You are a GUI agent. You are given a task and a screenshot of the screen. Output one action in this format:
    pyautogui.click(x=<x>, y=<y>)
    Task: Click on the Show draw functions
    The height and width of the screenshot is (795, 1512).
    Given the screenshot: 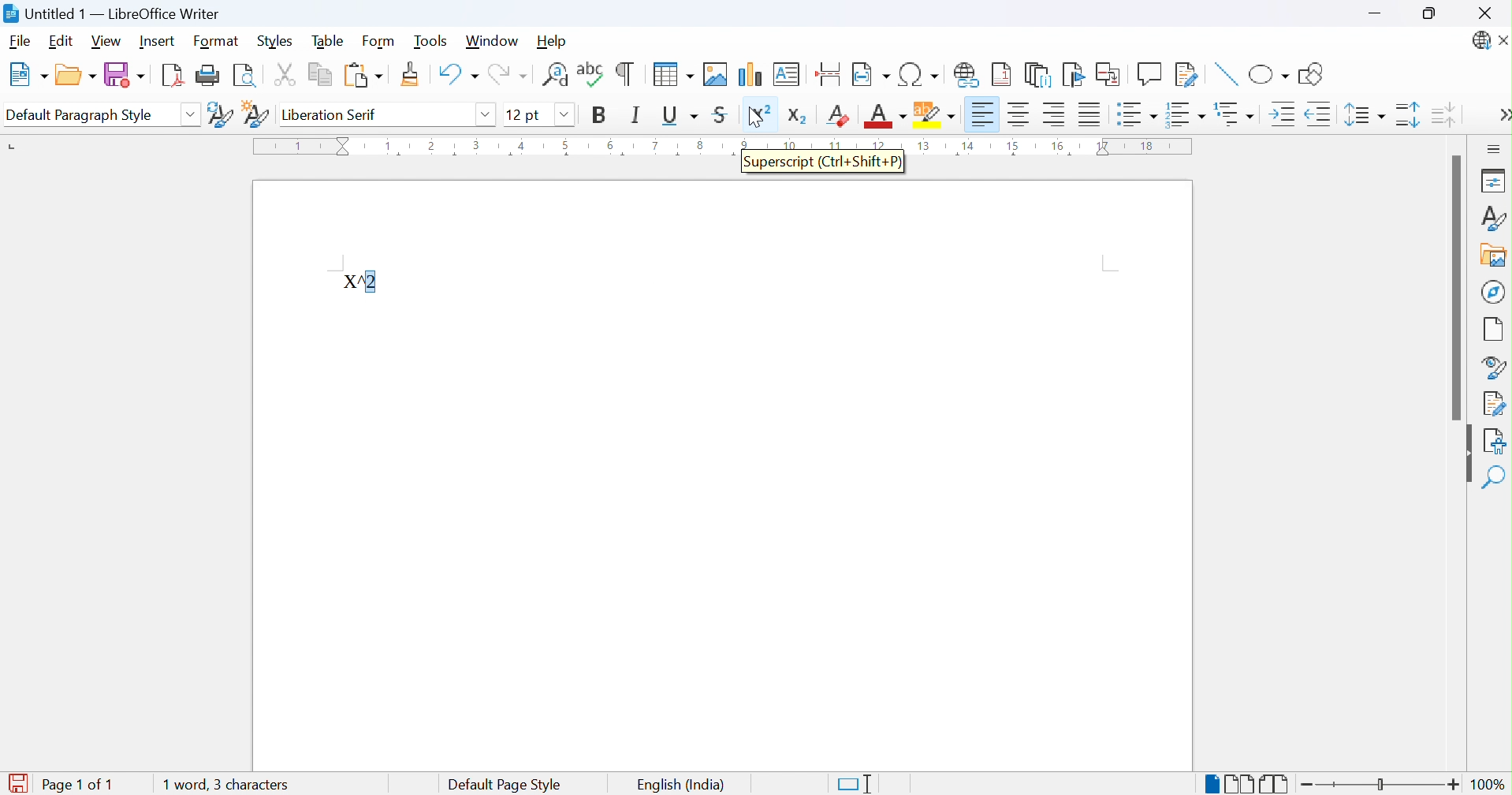 What is the action you would take?
    pyautogui.click(x=1315, y=73)
    